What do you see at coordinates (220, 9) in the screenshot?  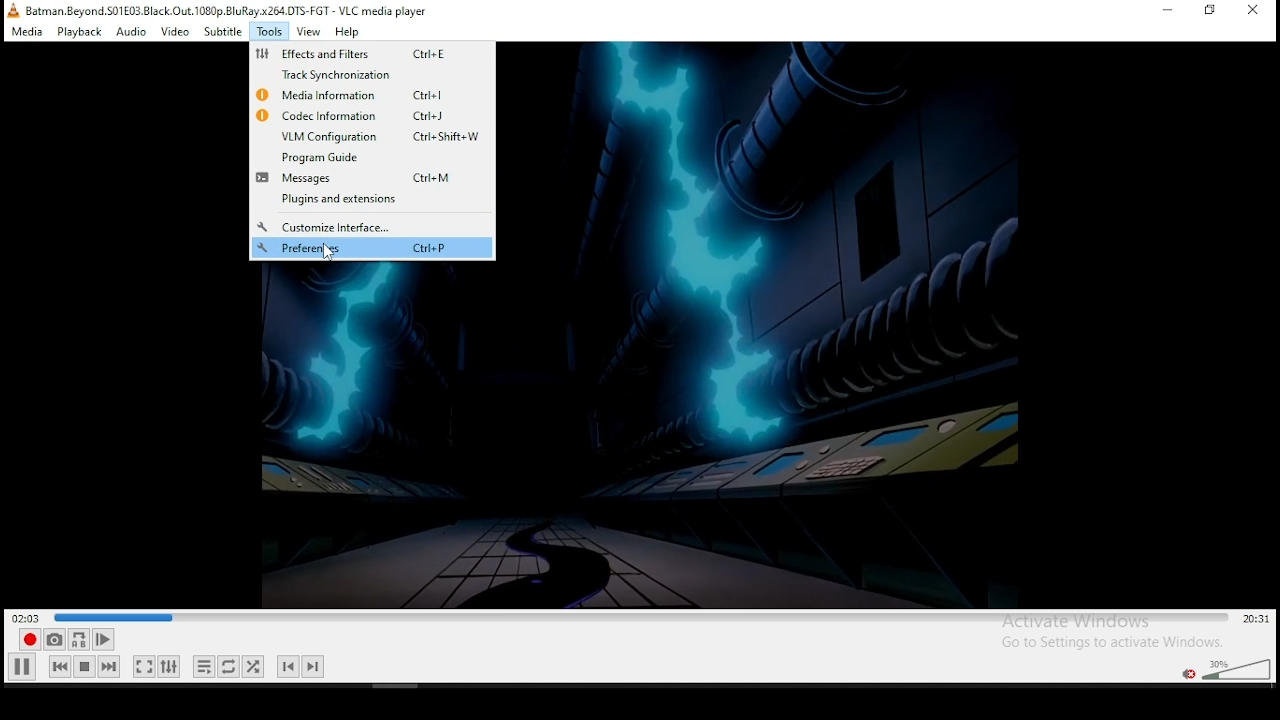 I see `icon and file name` at bounding box center [220, 9].